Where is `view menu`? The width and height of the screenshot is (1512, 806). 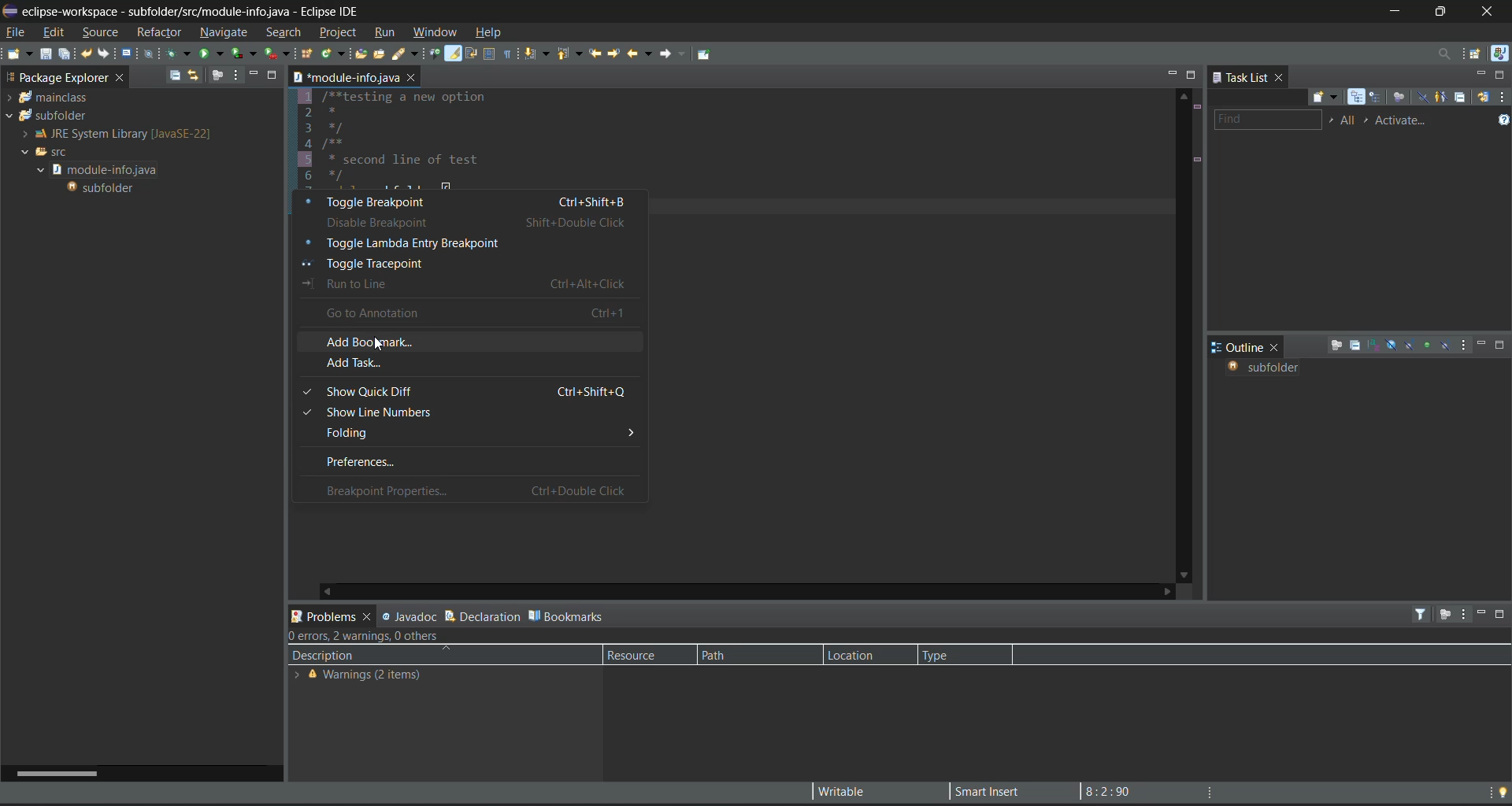
view menu is located at coordinates (1503, 96).